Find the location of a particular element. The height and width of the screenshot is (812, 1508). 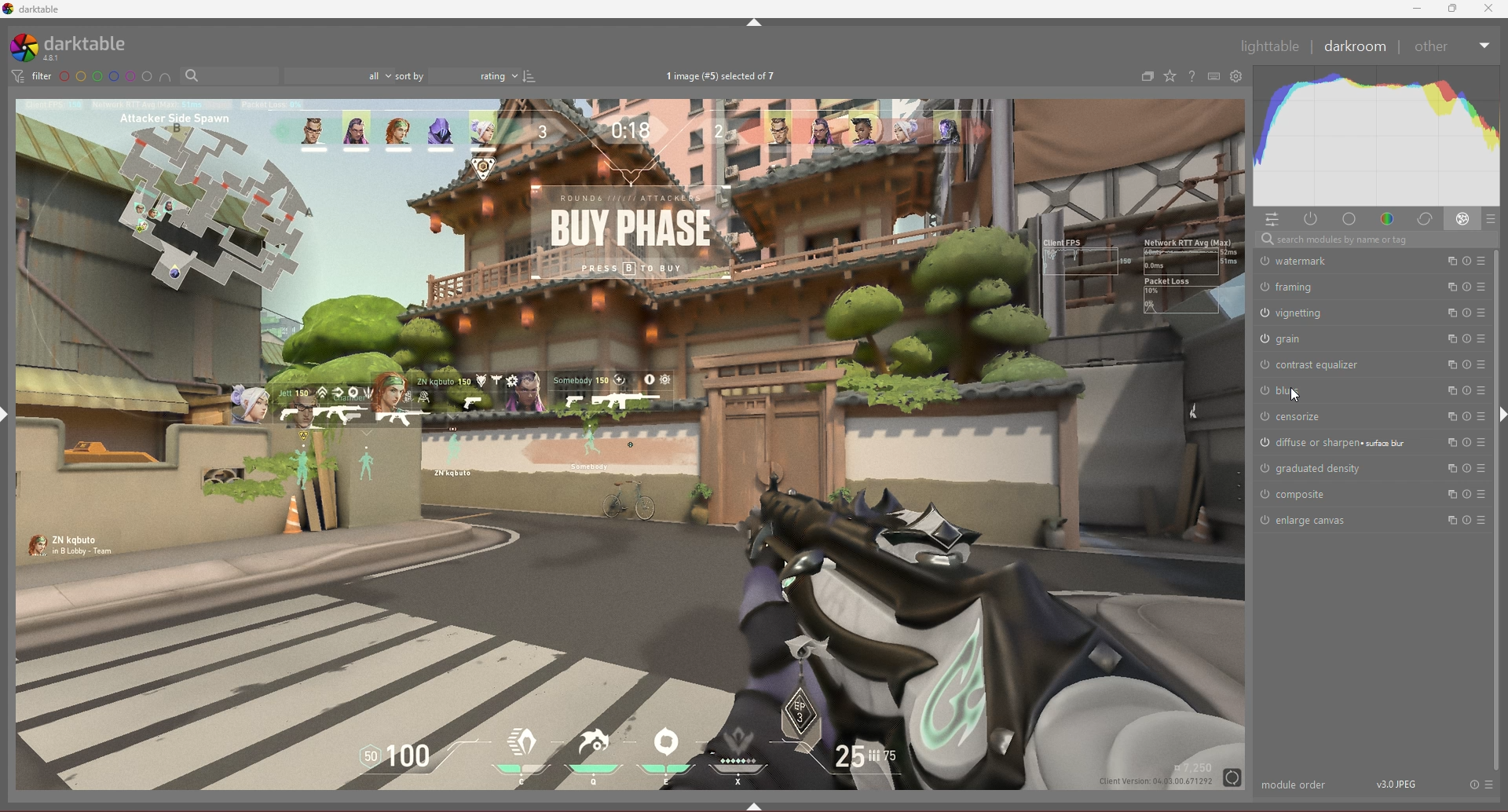

framing is located at coordinates (1323, 286).